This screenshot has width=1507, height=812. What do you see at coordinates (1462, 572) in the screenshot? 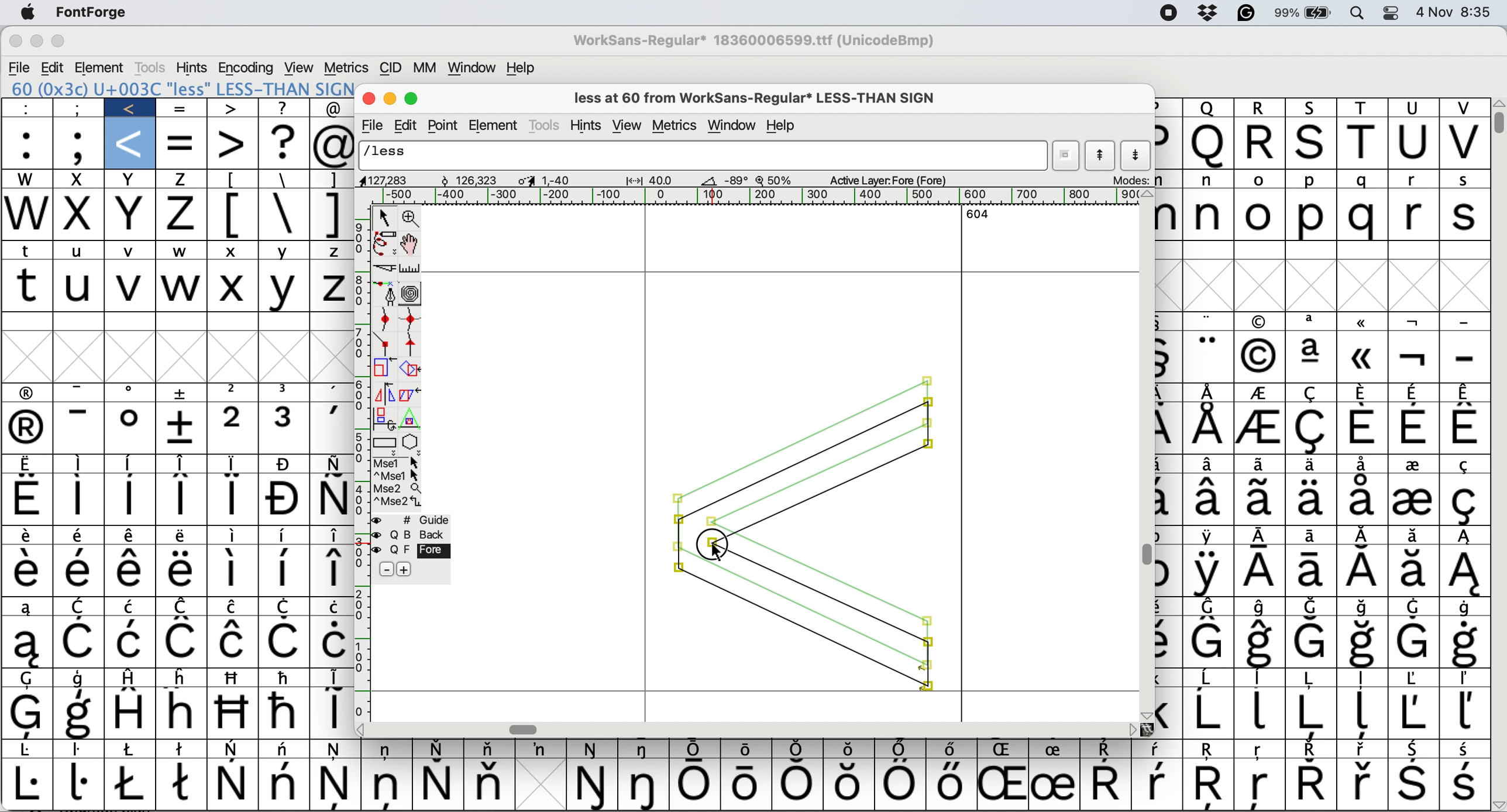
I see `Symbol` at bounding box center [1462, 572].